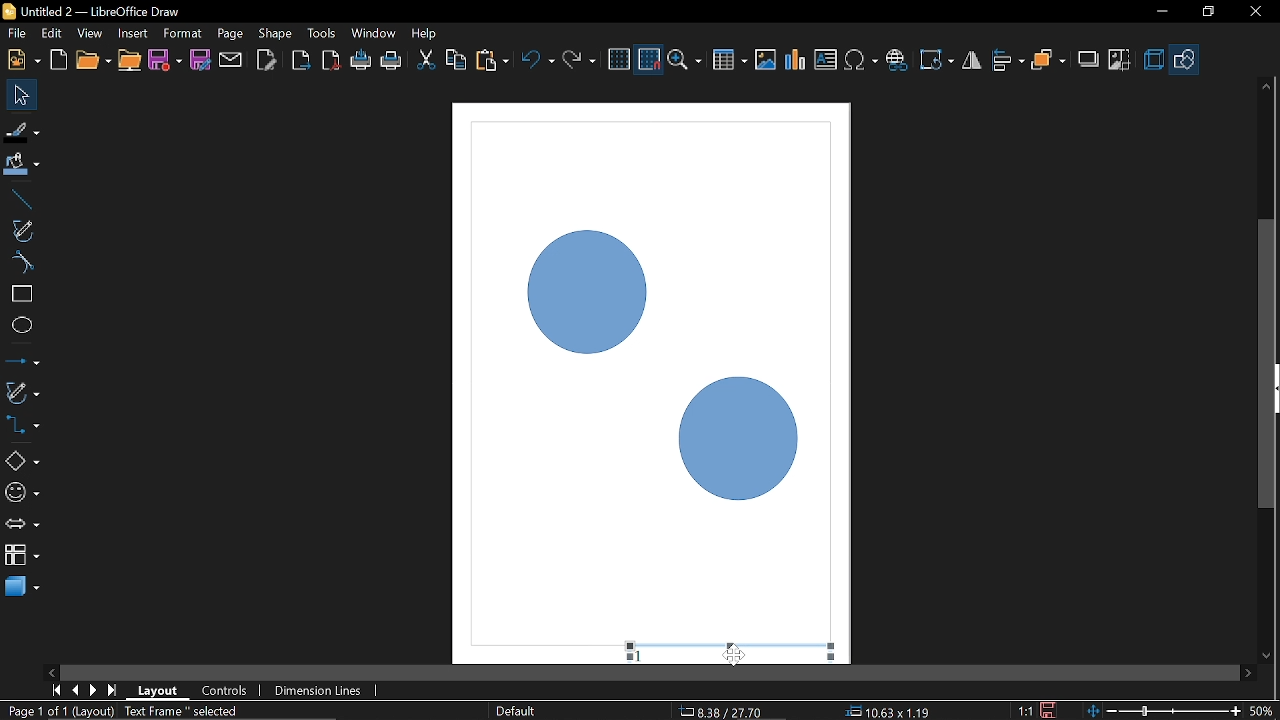 This screenshot has height=720, width=1280. Describe the element at coordinates (130, 61) in the screenshot. I see `Open remote file` at that location.